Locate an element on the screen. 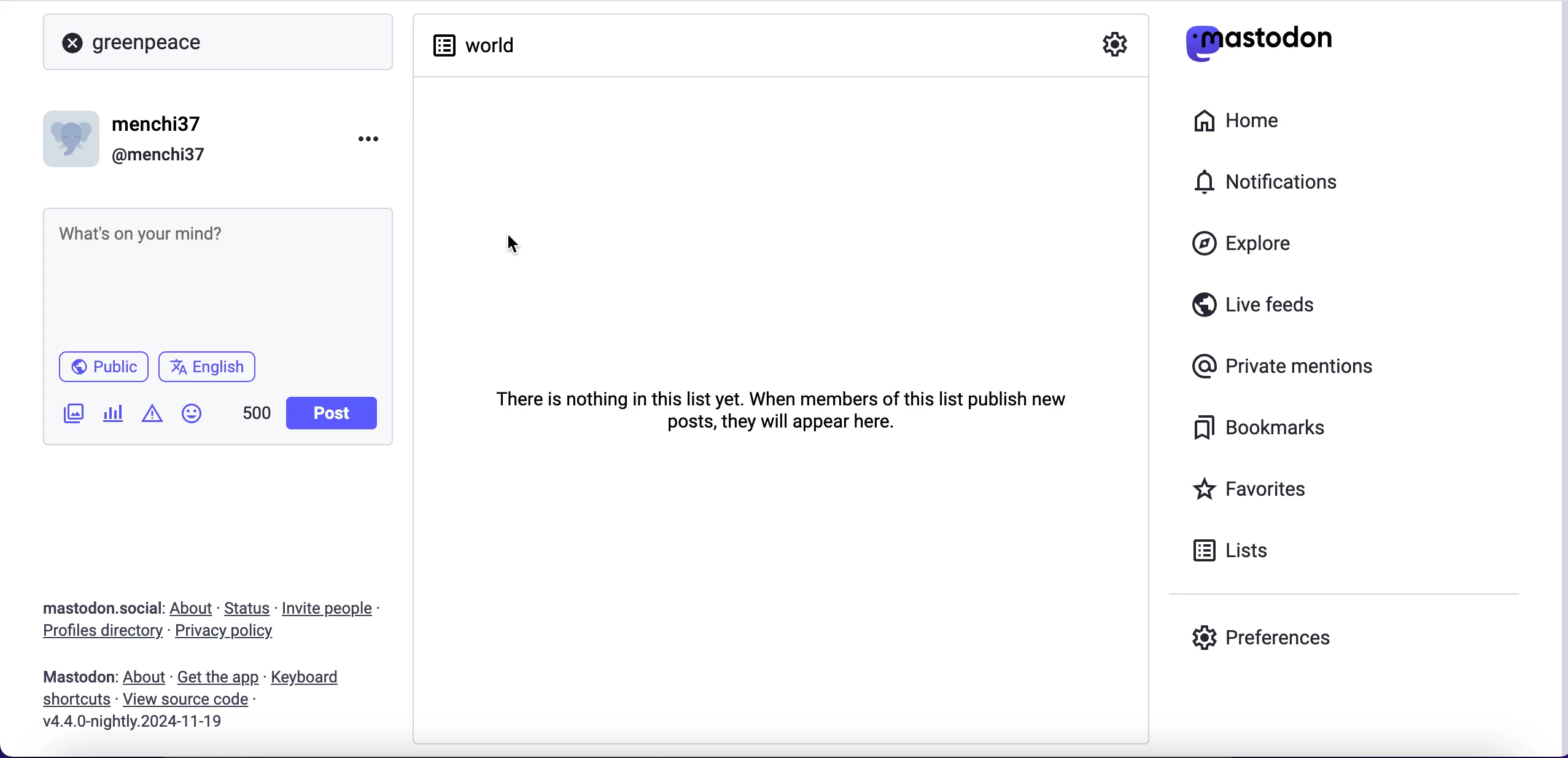  bookmarks is located at coordinates (1263, 428).